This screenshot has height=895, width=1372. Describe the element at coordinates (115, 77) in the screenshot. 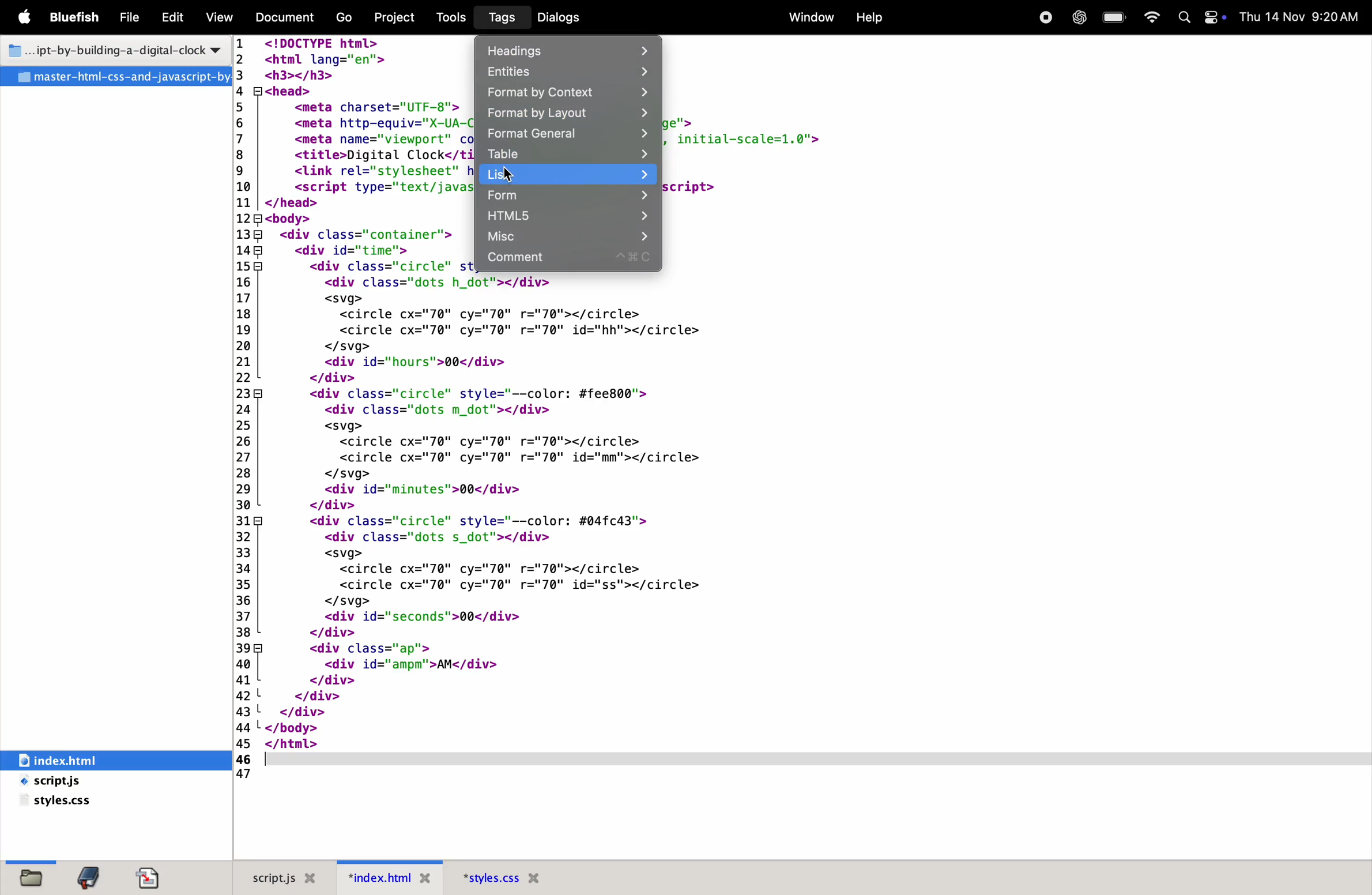

I see `master` at that location.